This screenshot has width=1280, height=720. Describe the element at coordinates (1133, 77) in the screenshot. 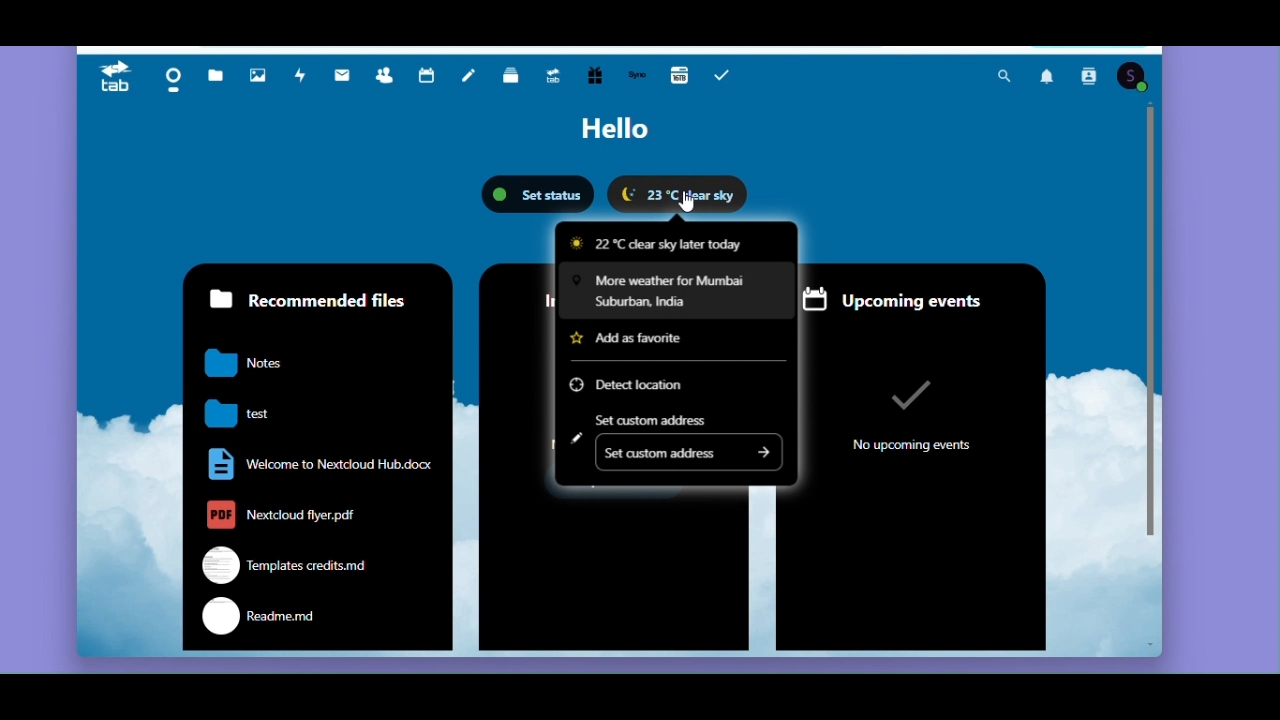

I see `Account icon` at that location.